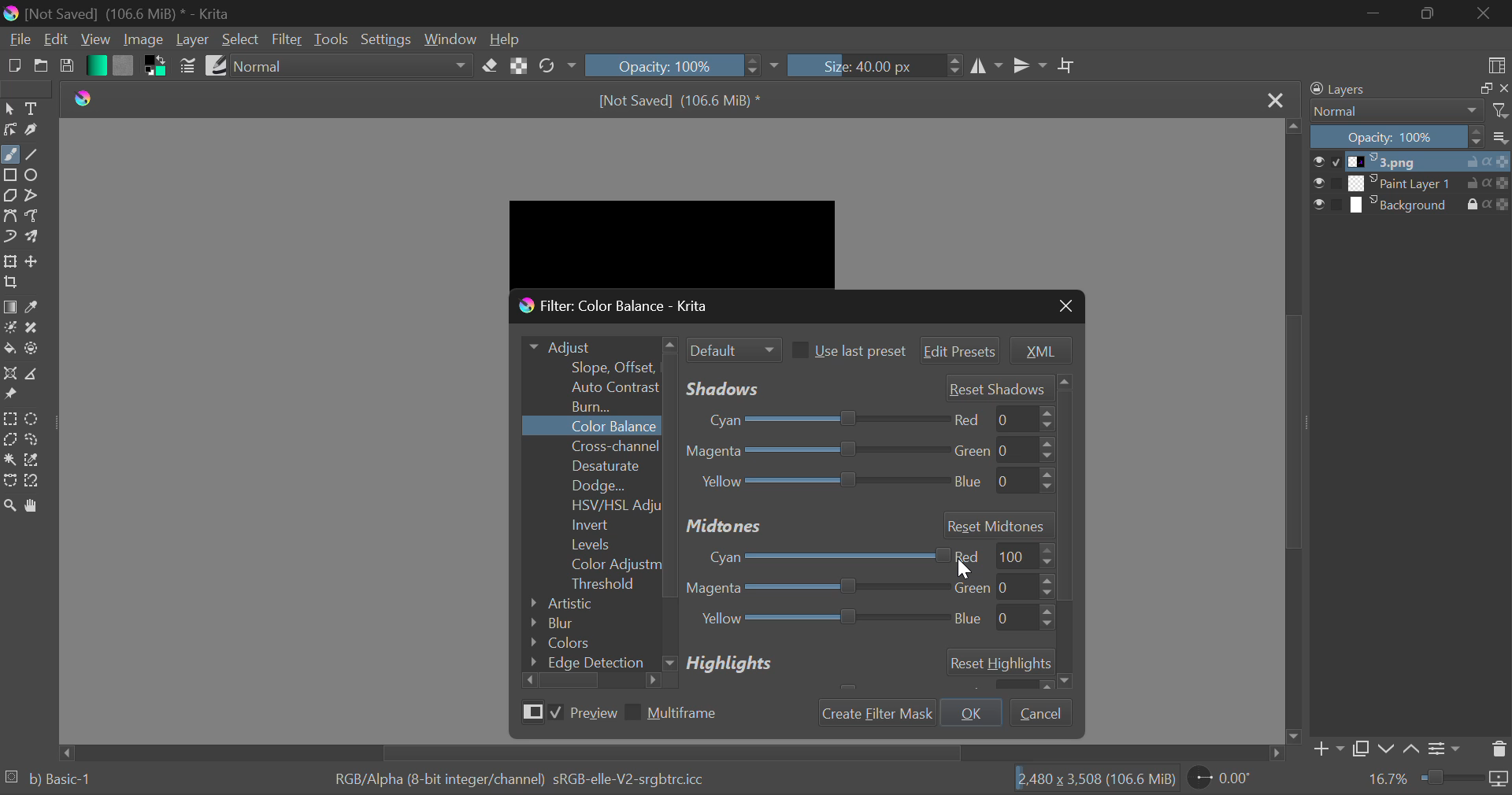 The height and width of the screenshot is (795, 1512). Describe the element at coordinates (17, 40) in the screenshot. I see `File` at that location.